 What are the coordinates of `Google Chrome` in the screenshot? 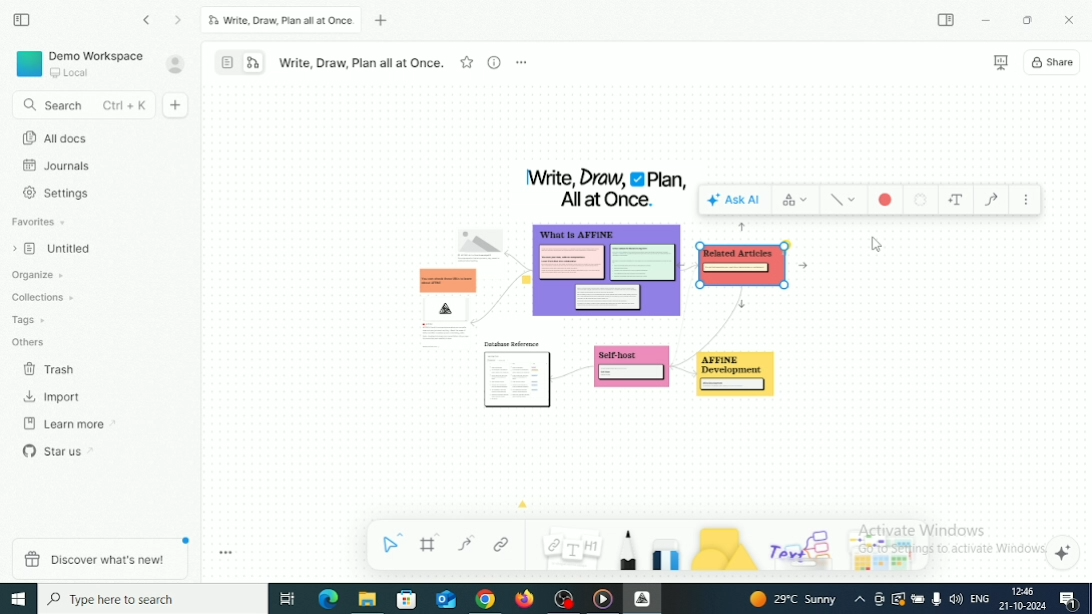 It's located at (485, 600).